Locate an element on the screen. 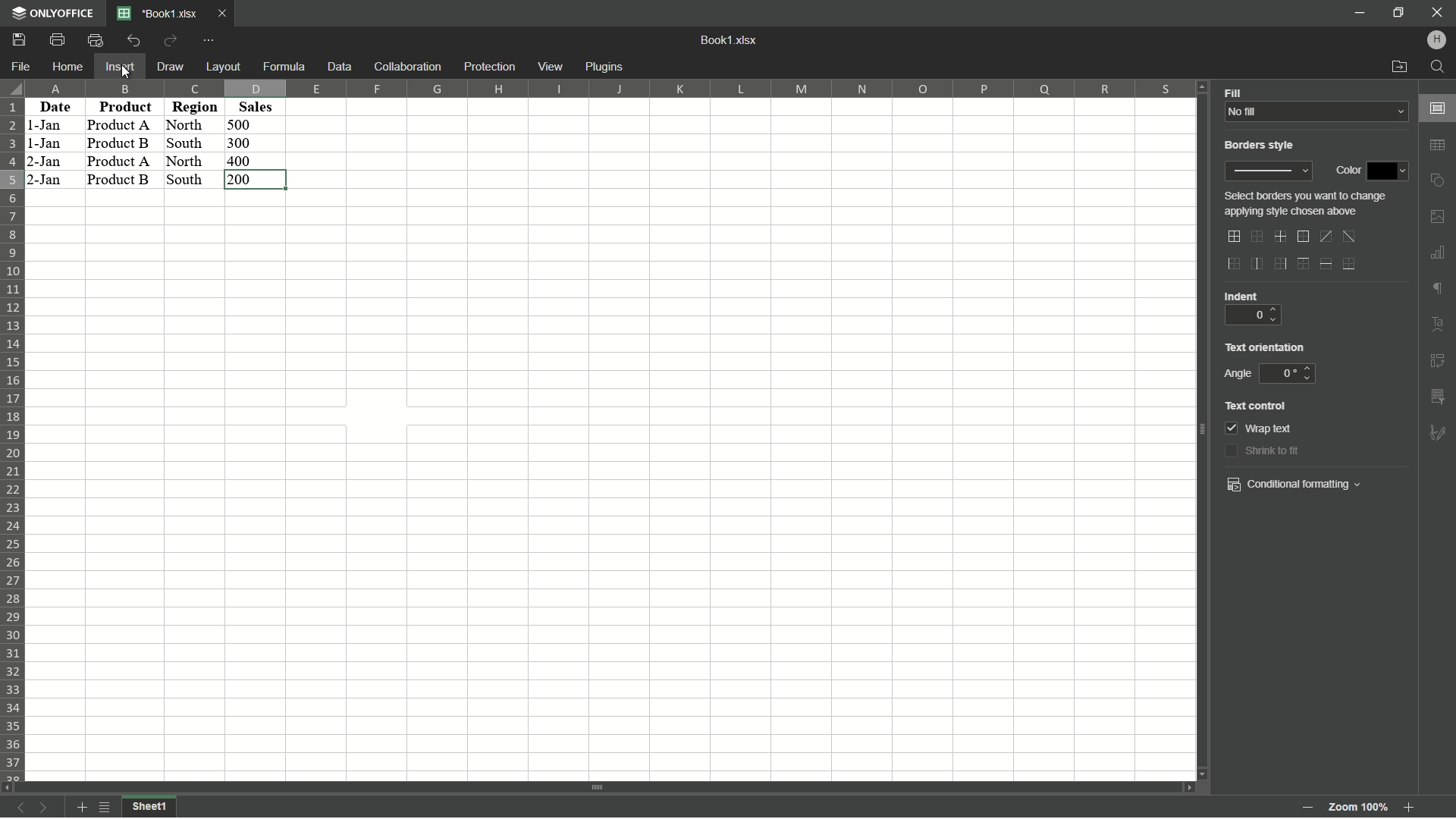 This screenshot has width=1456, height=819. down is located at coordinates (1276, 321).